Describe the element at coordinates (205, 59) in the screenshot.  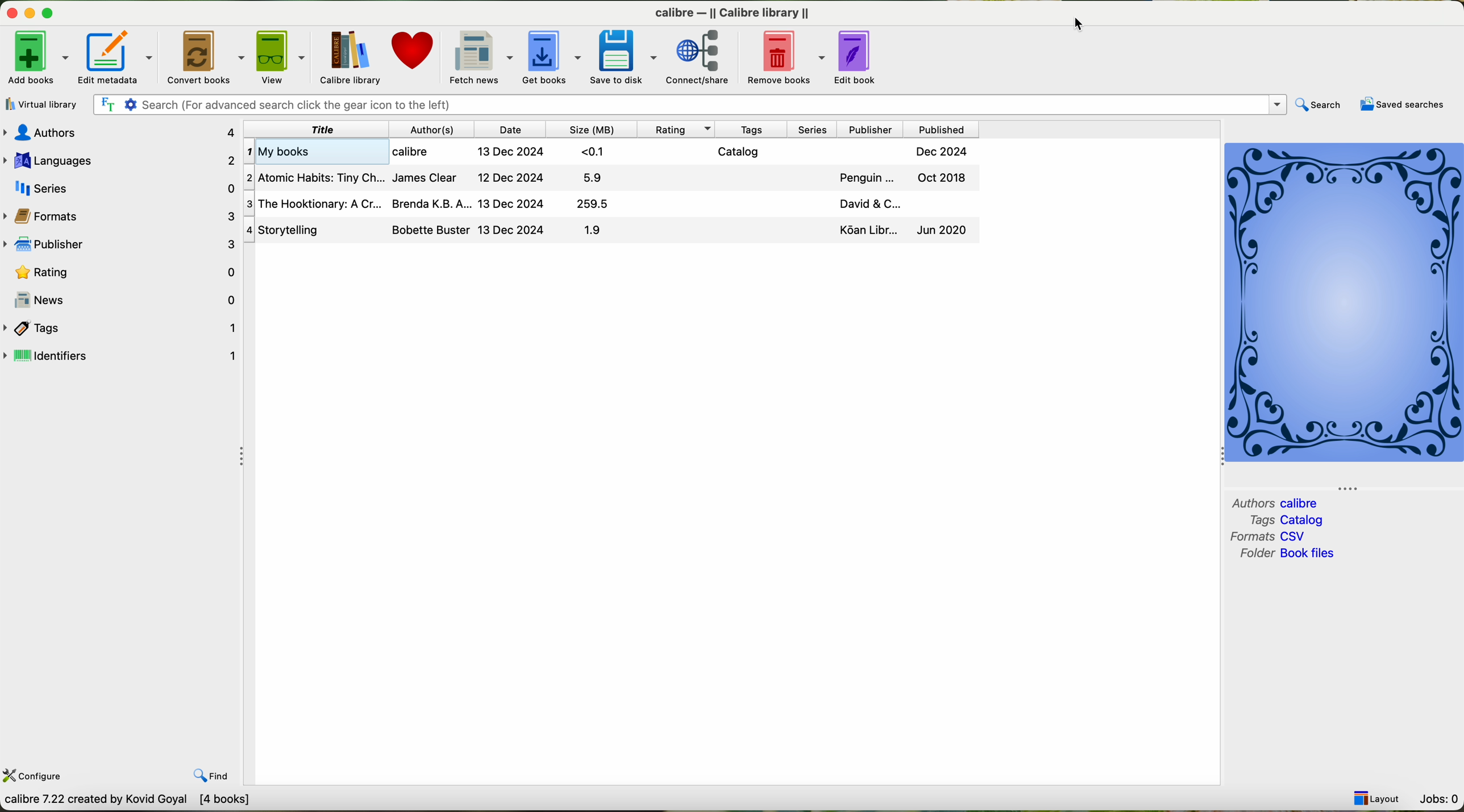
I see `click on convert books options` at that location.